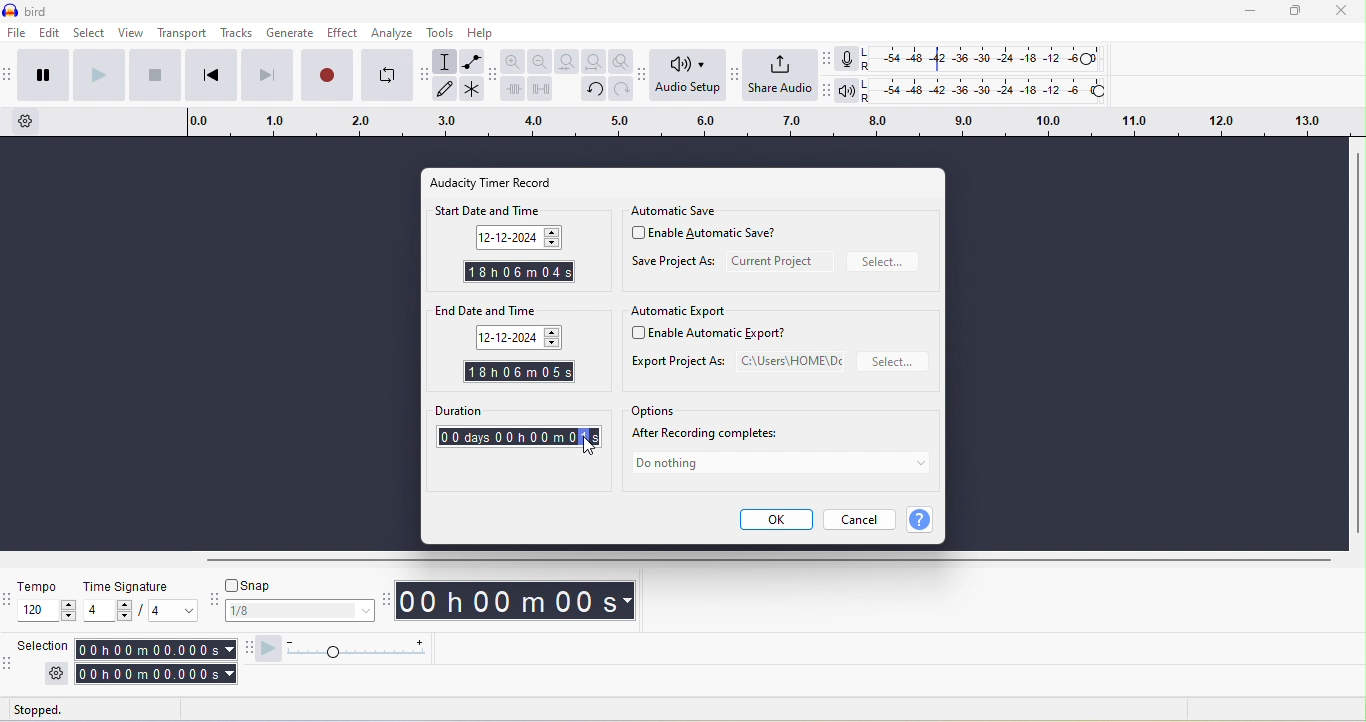 This screenshot has width=1366, height=722. Describe the element at coordinates (266, 75) in the screenshot. I see `skip to end` at that location.